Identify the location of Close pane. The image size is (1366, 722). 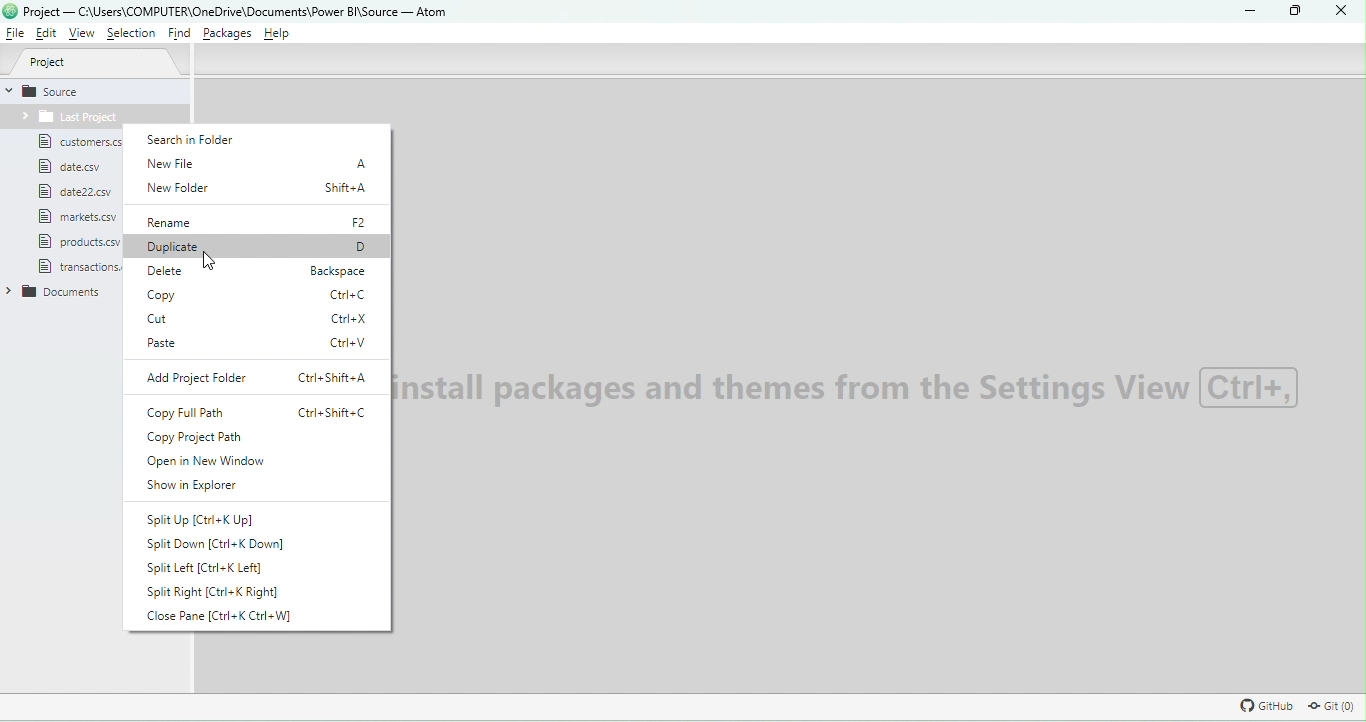
(232, 618).